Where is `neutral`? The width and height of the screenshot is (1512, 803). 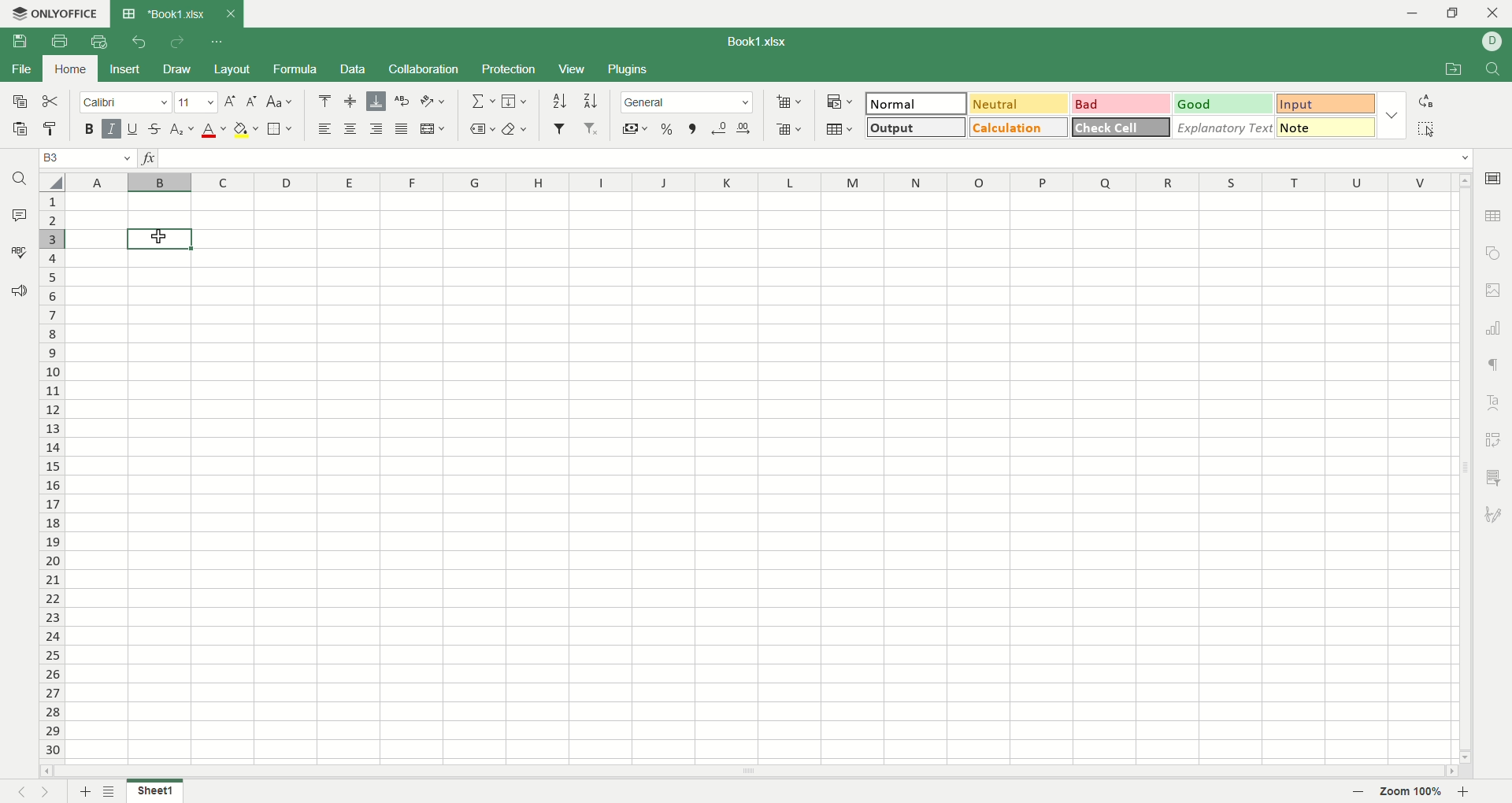
neutral is located at coordinates (1019, 104).